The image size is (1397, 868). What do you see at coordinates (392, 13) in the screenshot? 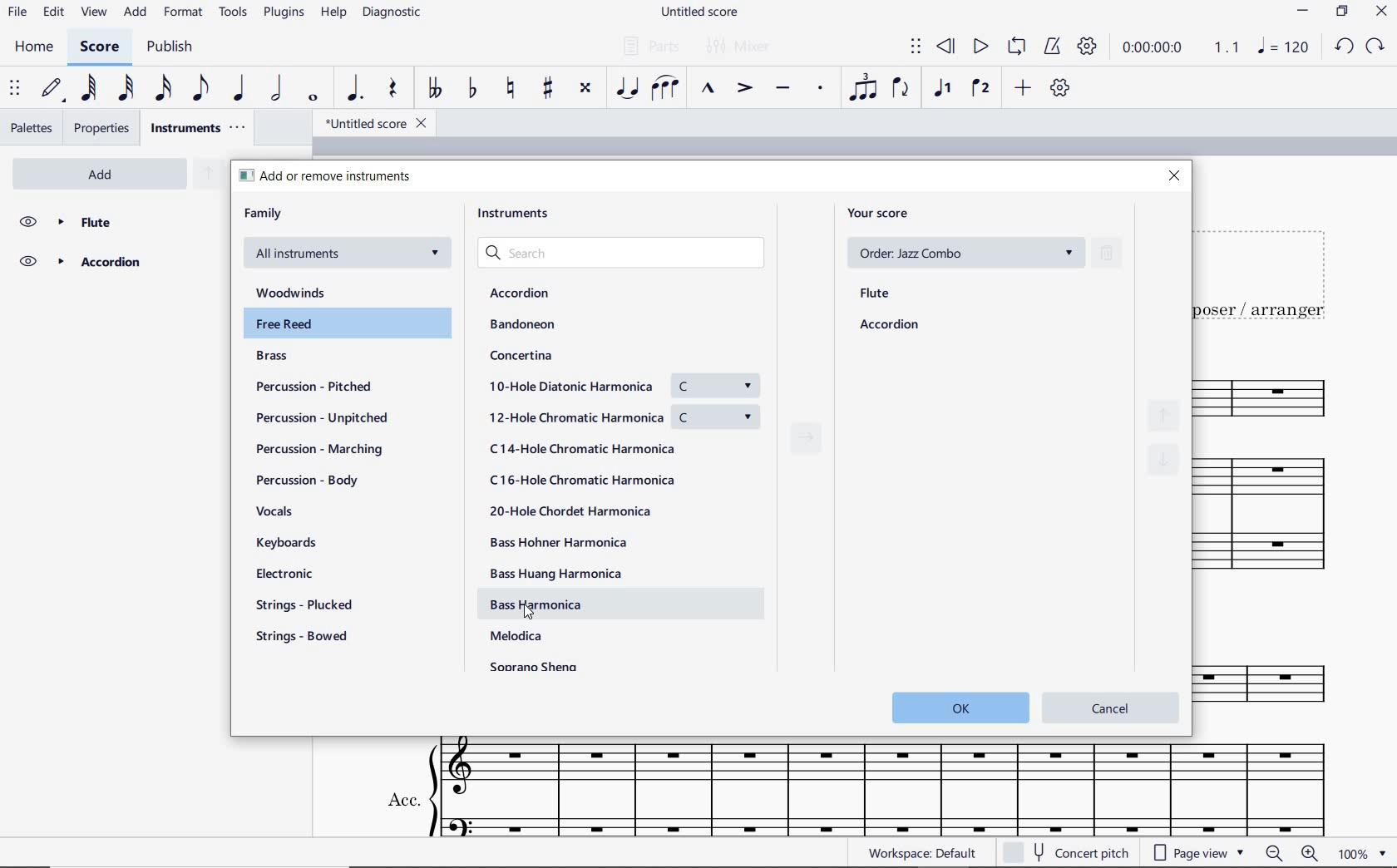
I see `diagnostic` at bounding box center [392, 13].